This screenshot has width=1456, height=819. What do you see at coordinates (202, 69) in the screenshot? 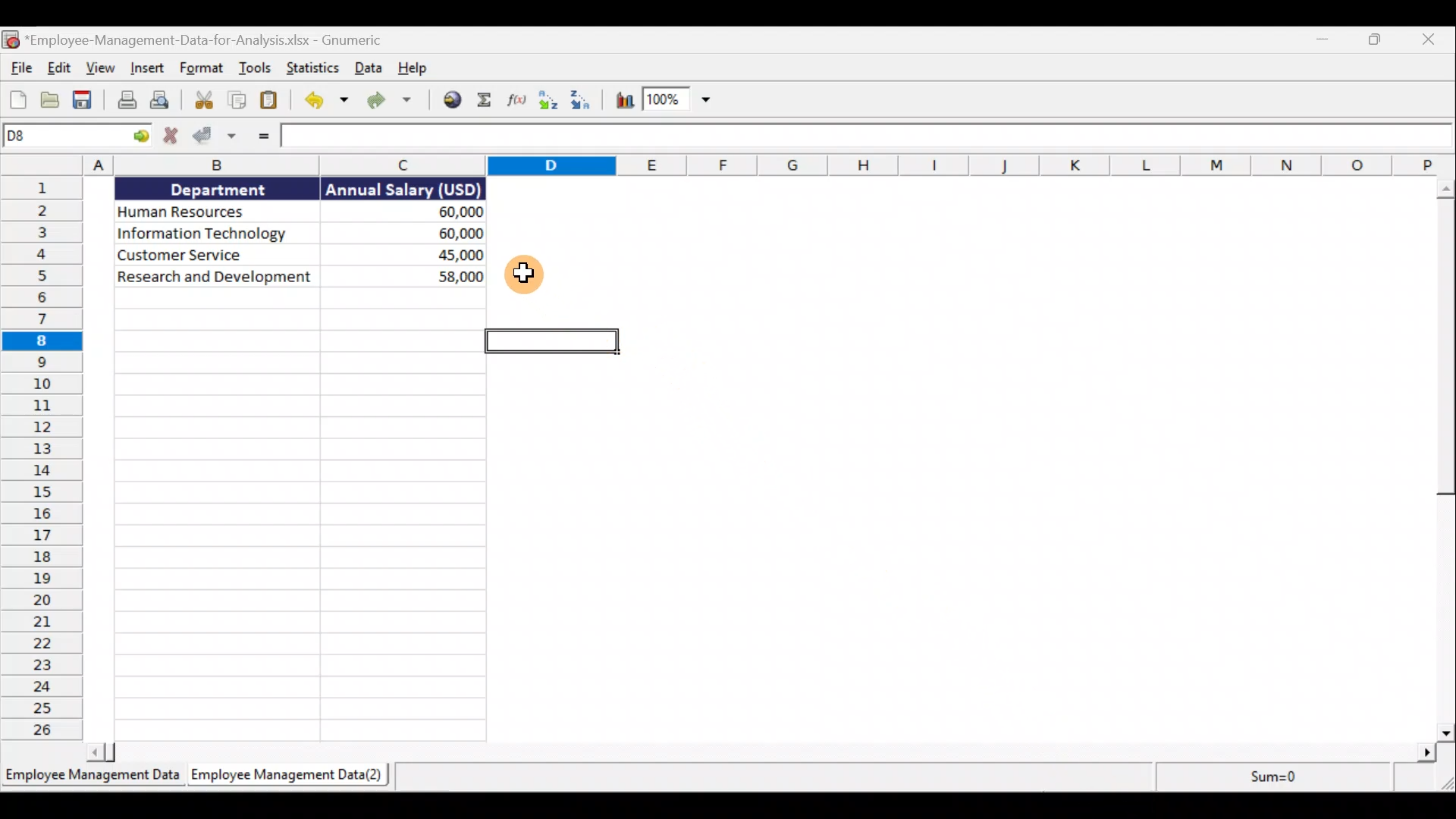
I see `Format` at bounding box center [202, 69].